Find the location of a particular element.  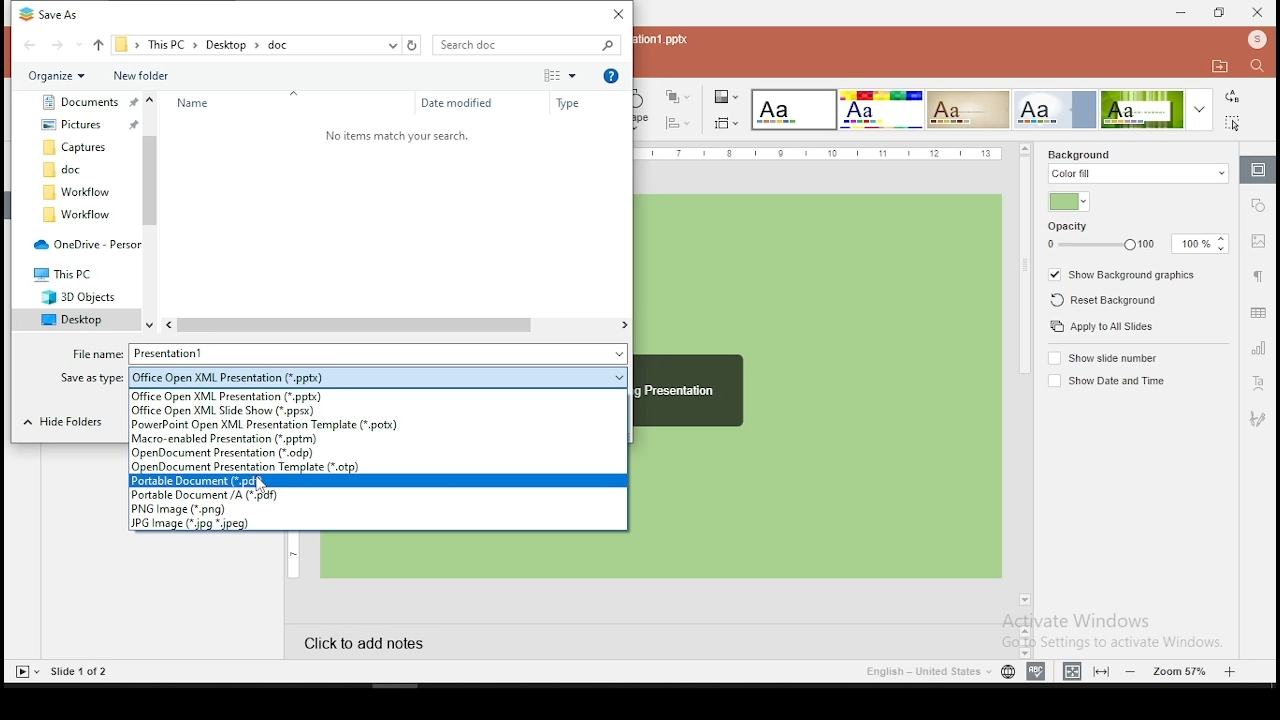

Document is located at coordinates (85, 101).